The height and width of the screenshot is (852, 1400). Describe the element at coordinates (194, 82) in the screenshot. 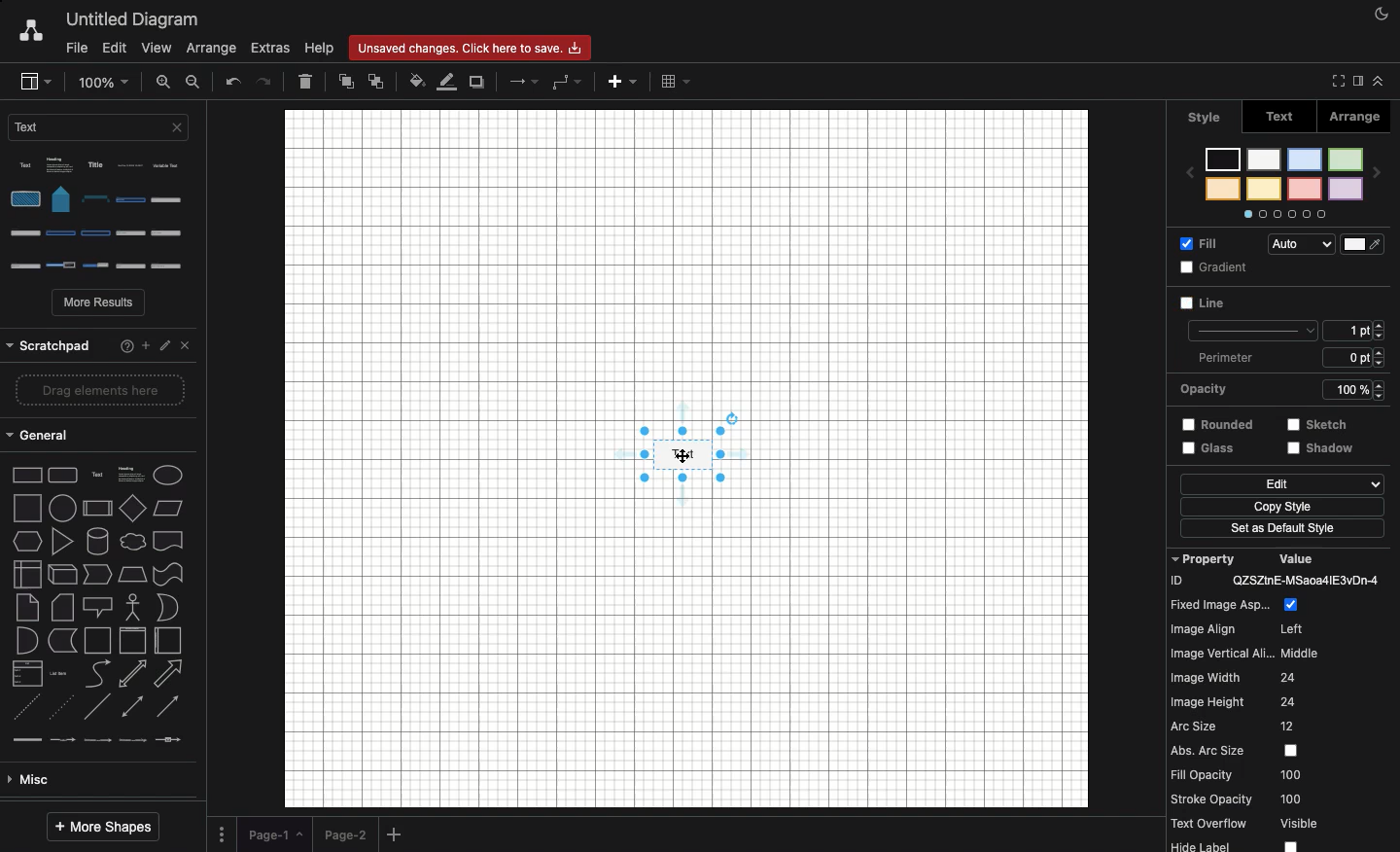

I see `Zoom out` at that location.